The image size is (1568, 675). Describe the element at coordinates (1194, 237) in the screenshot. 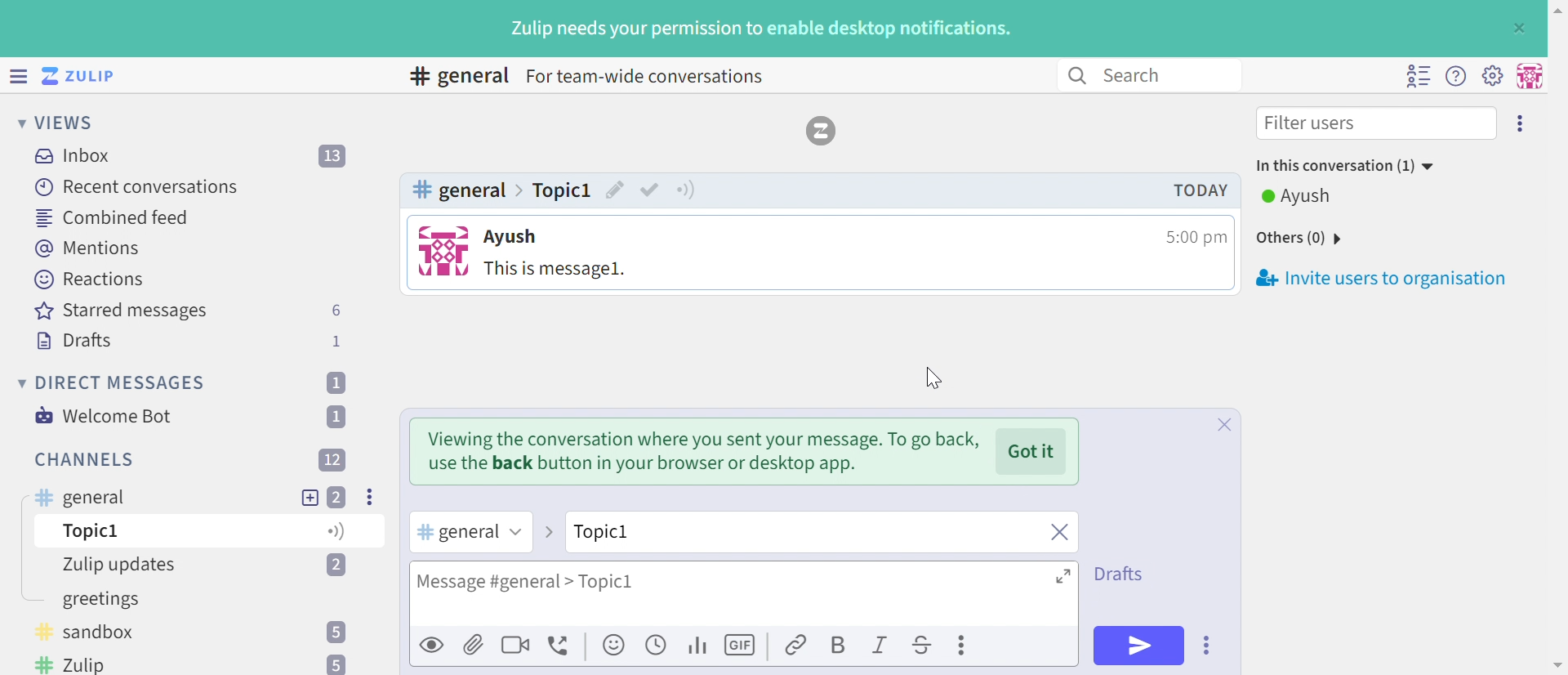

I see `5:00 PM` at that location.